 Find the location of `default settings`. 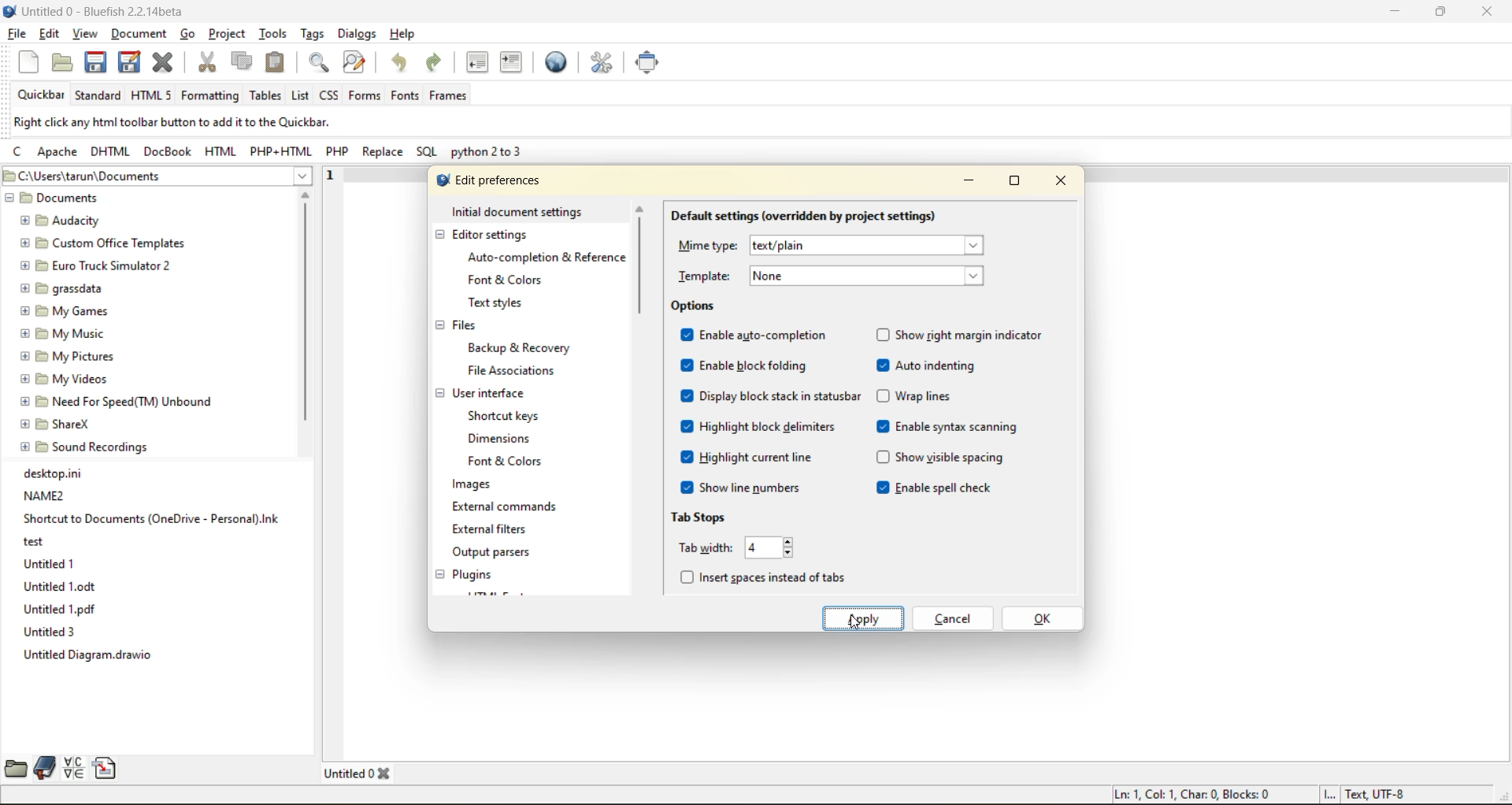

default settings is located at coordinates (803, 216).